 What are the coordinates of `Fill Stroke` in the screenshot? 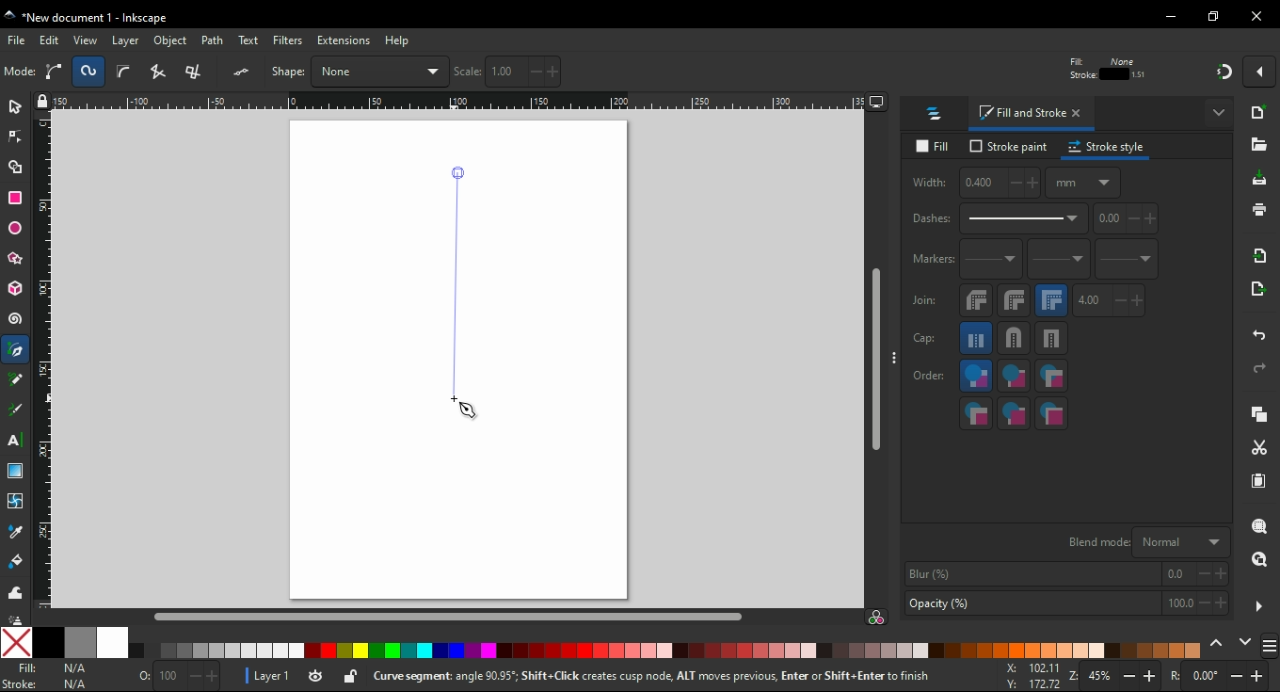 It's located at (19, 676).